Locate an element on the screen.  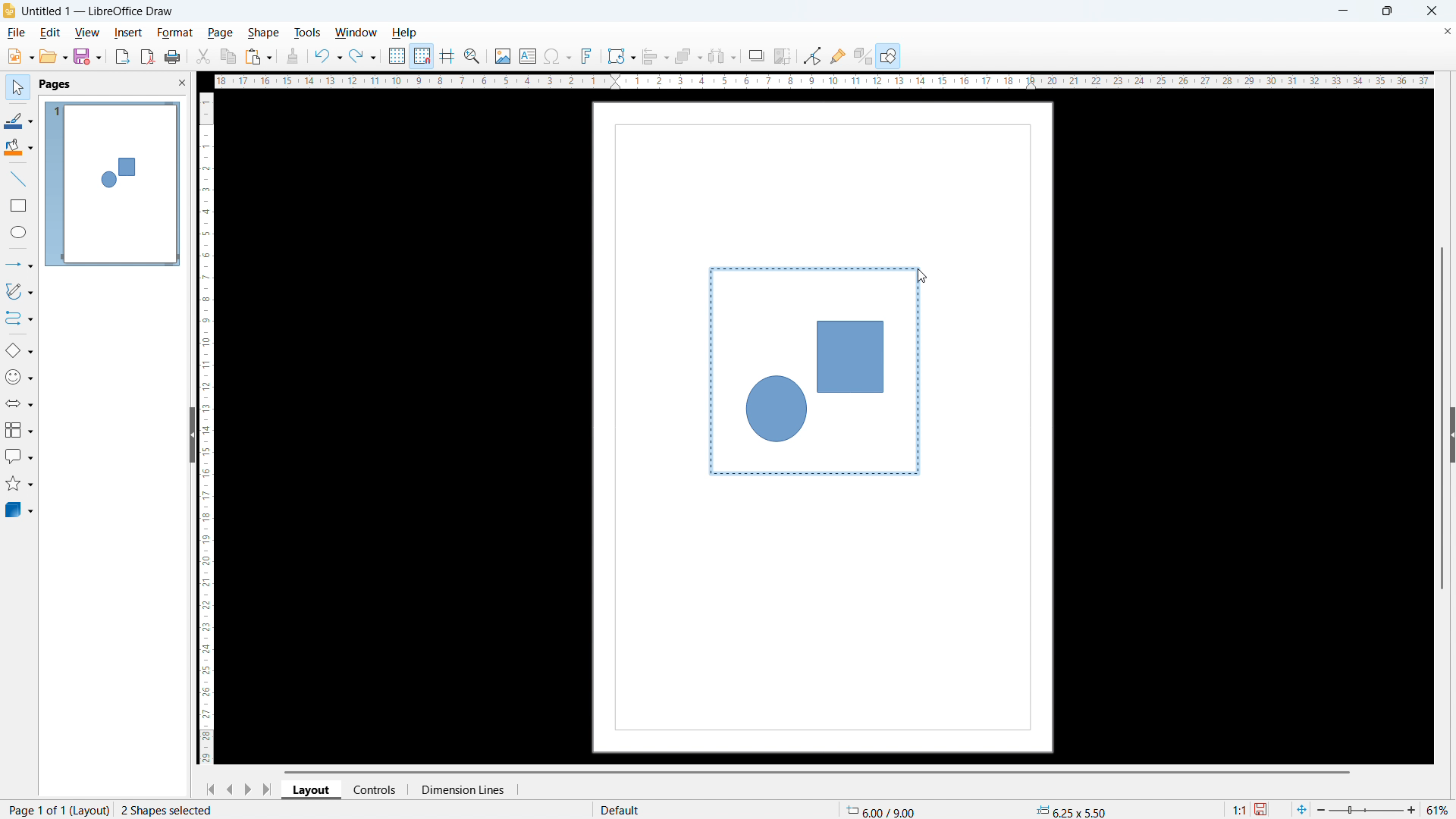
copy is located at coordinates (229, 56).